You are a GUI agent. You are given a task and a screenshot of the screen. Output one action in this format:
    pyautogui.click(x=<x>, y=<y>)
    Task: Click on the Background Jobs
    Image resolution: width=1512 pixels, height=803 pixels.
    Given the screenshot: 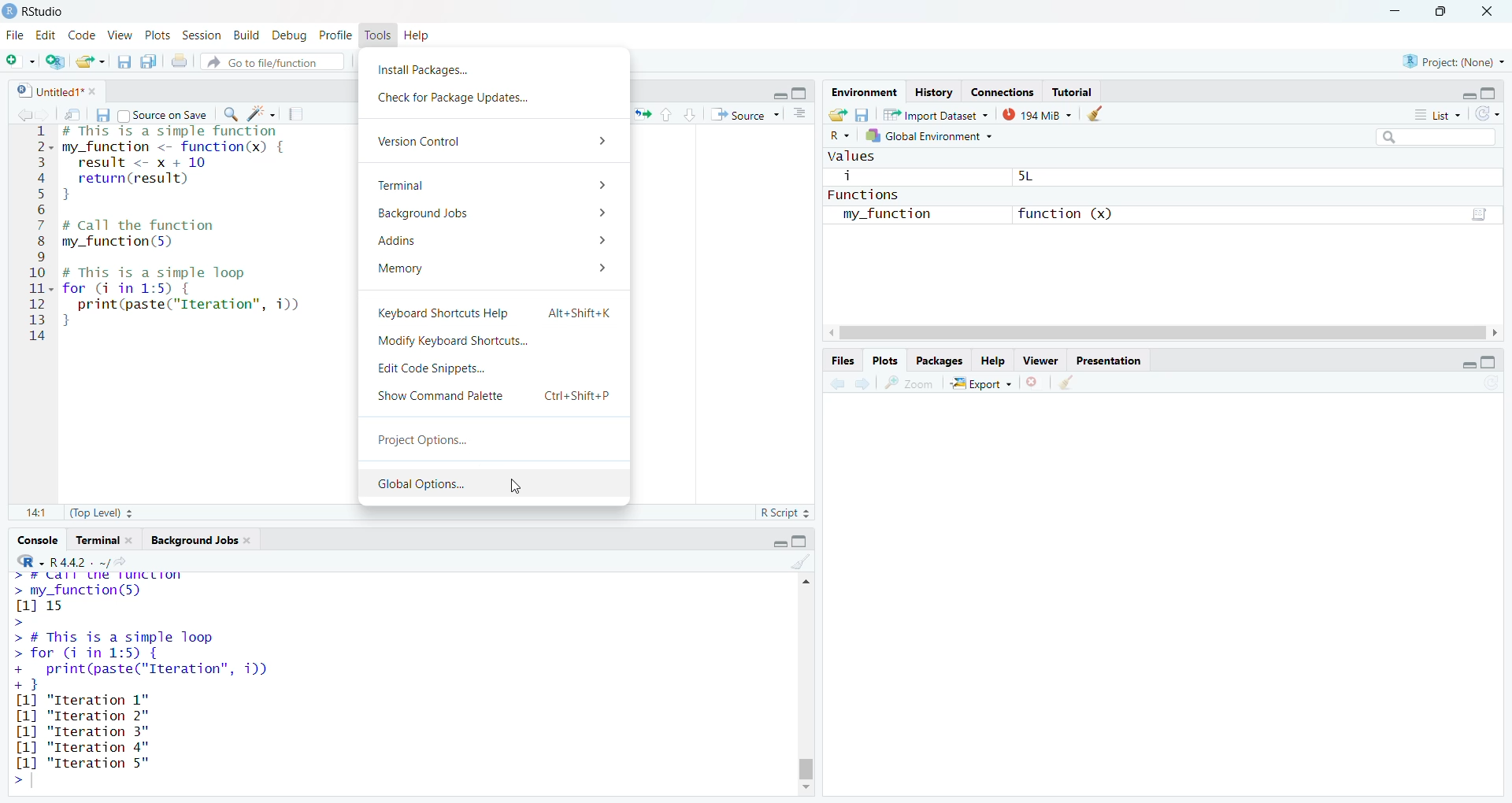 What is the action you would take?
    pyautogui.click(x=495, y=214)
    